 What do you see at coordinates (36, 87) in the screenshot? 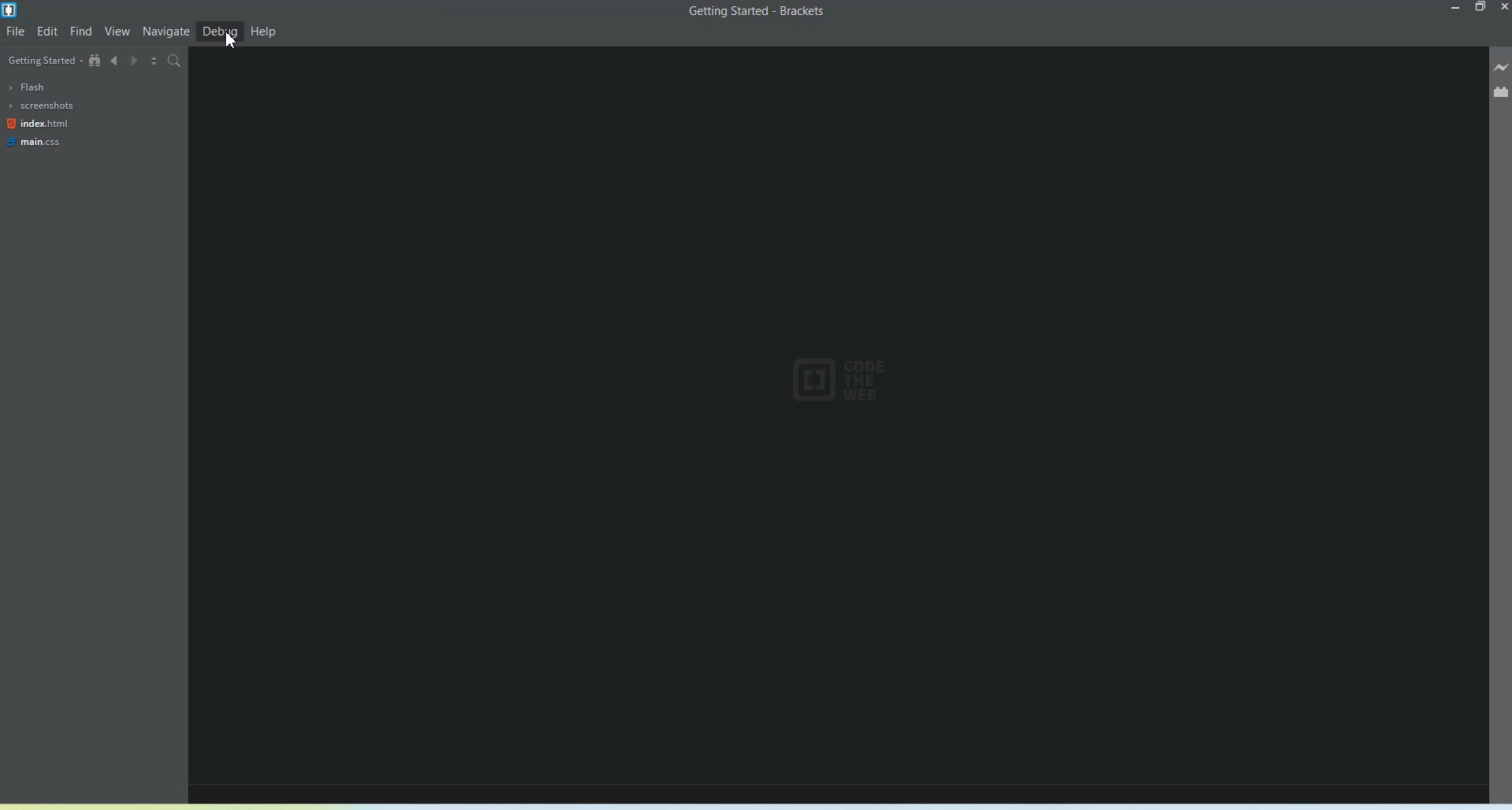
I see `Flash` at bounding box center [36, 87].